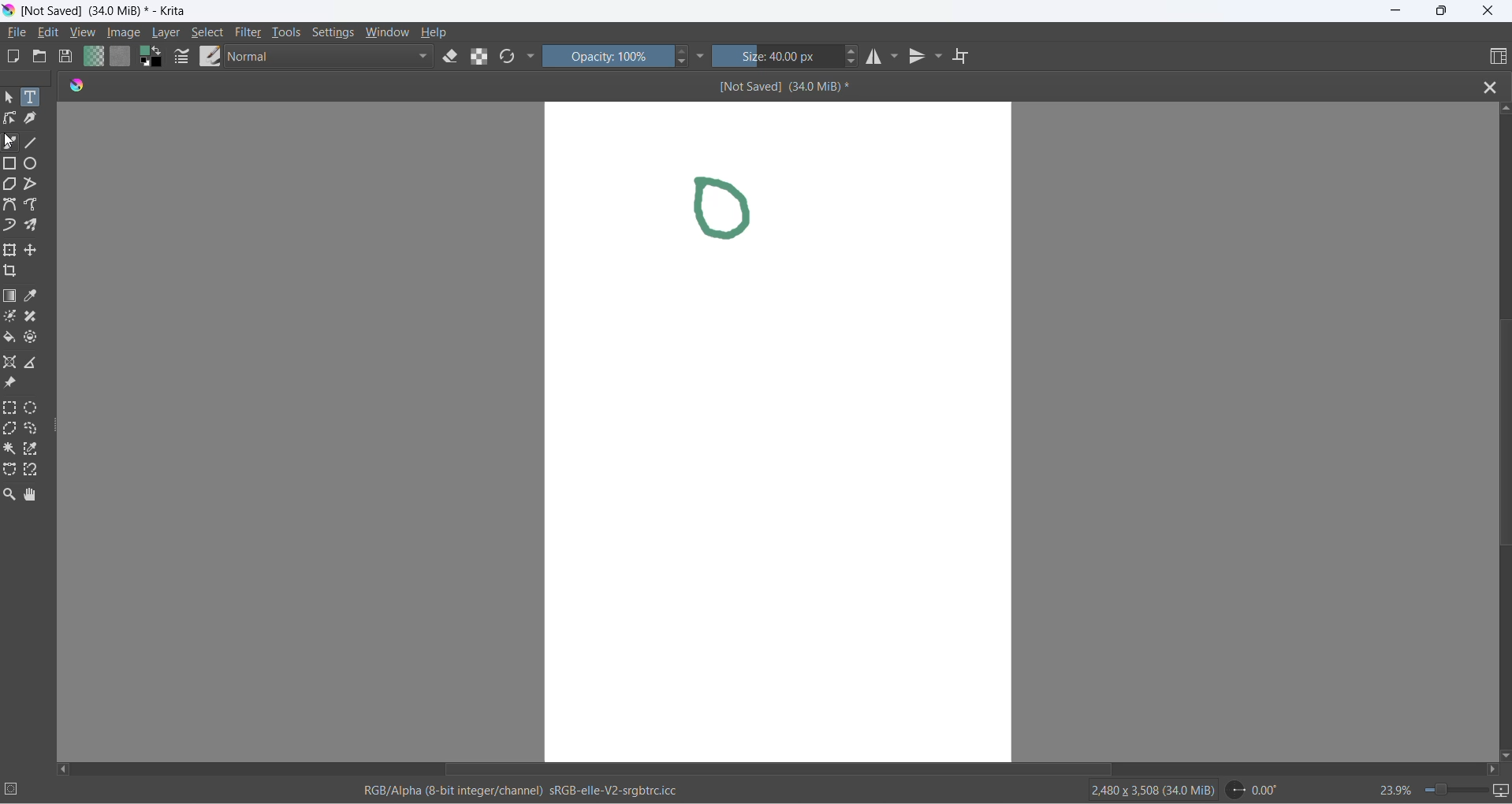  Describe the element at coordinates (968, 56) in the screenshot. I see `wrap around mode` at that location.